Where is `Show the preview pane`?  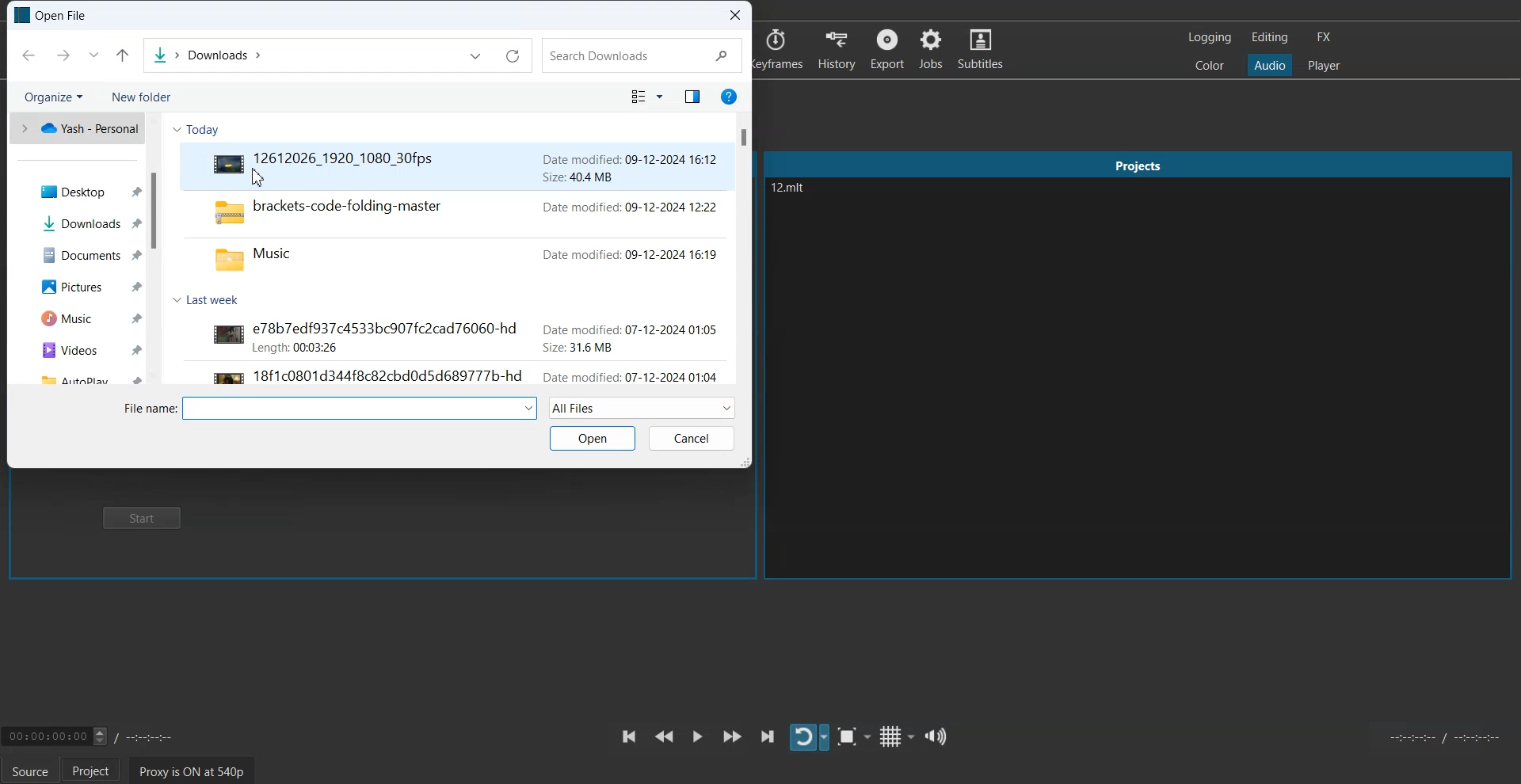
Show the preview pane is located at coordinates (690, 97).